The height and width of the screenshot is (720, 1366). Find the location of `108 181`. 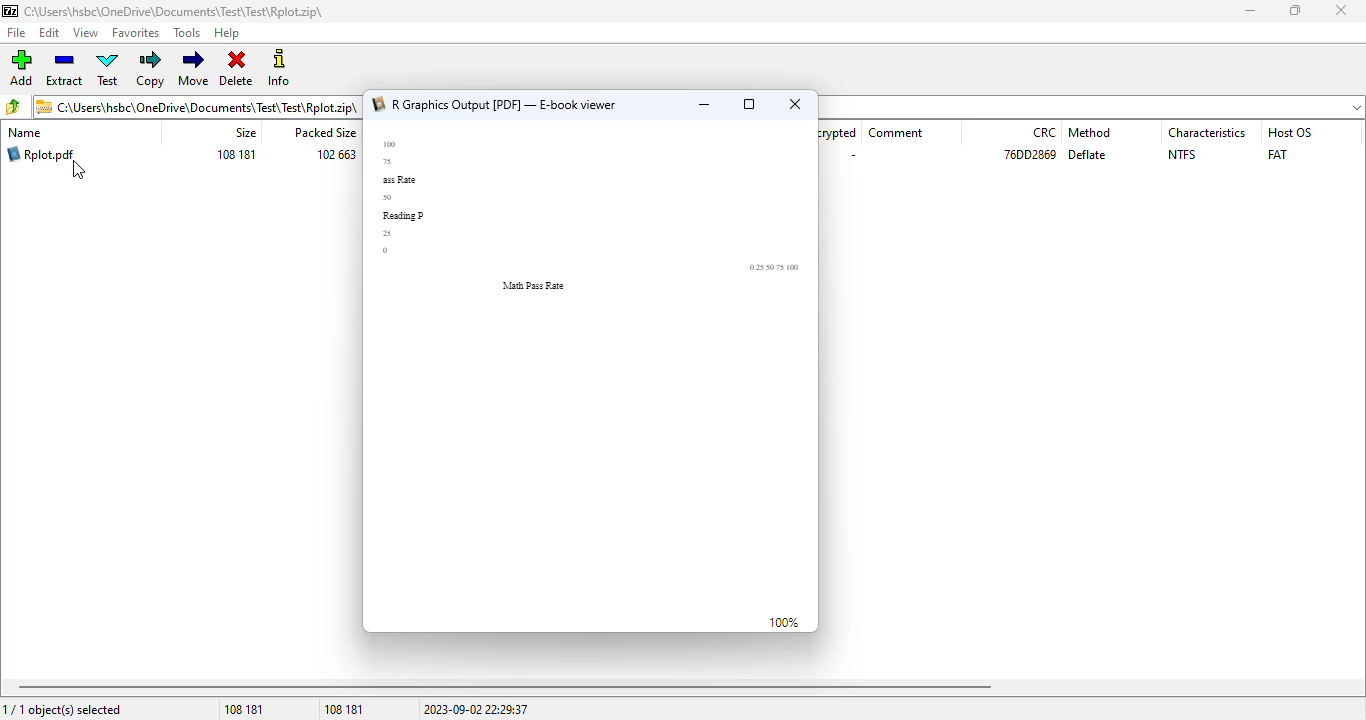

108 181 is located at coordinates (345, 709).